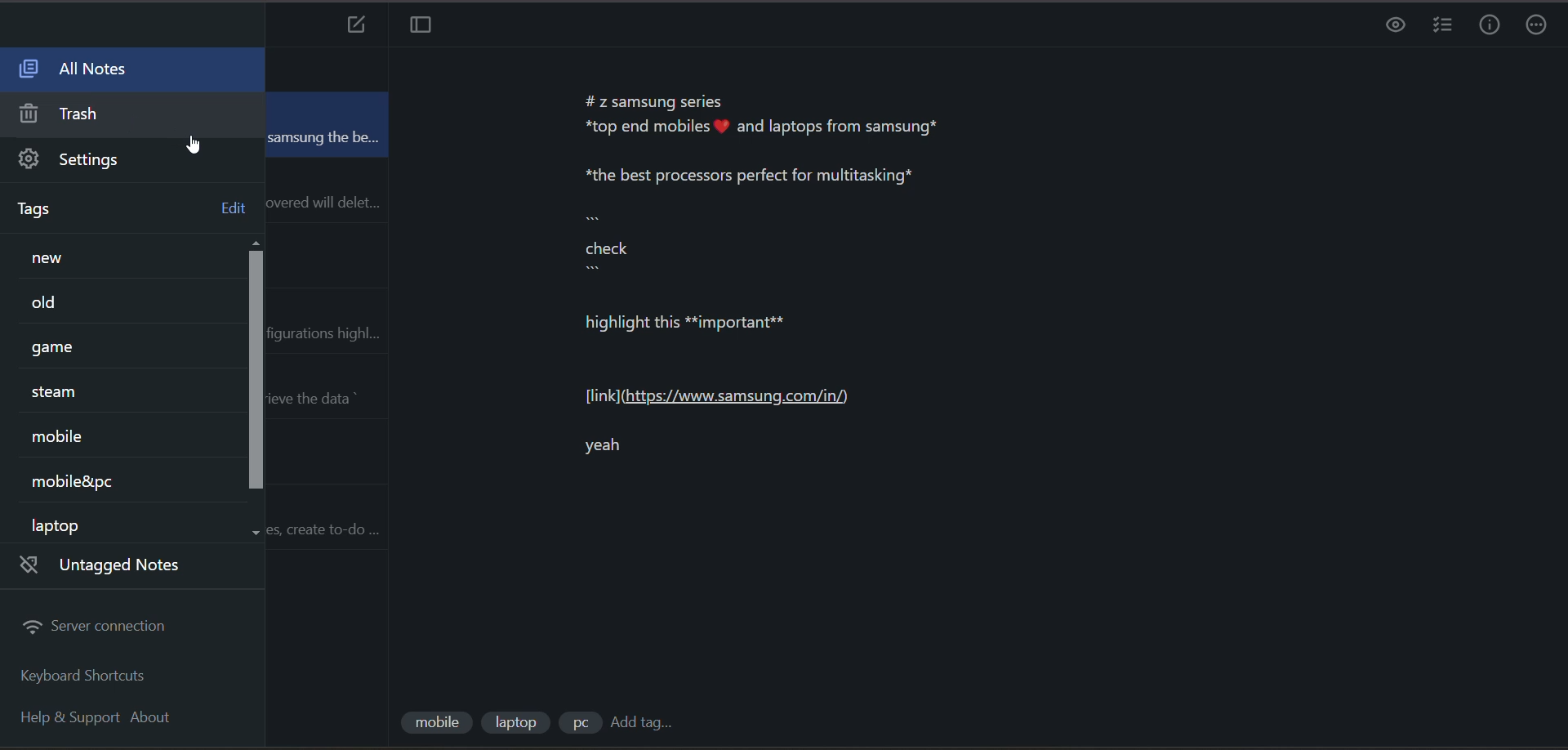 This screenshot has height=750, width=1568. Describe the element at coordinates (517, 723) in the screenshot. I see `tag 2` at that location.